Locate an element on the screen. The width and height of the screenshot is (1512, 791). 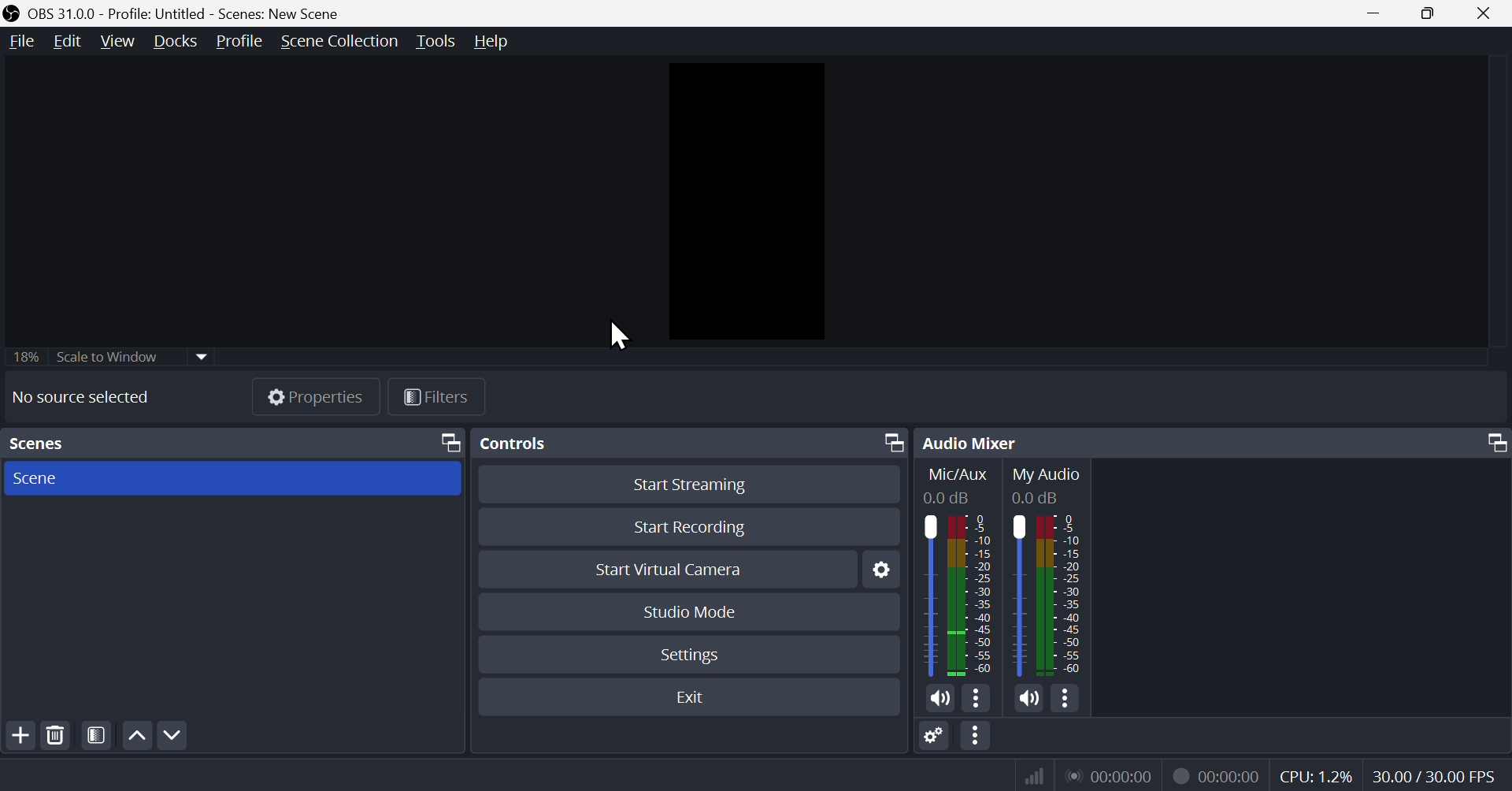
Add is located at coordinates (17, 733).